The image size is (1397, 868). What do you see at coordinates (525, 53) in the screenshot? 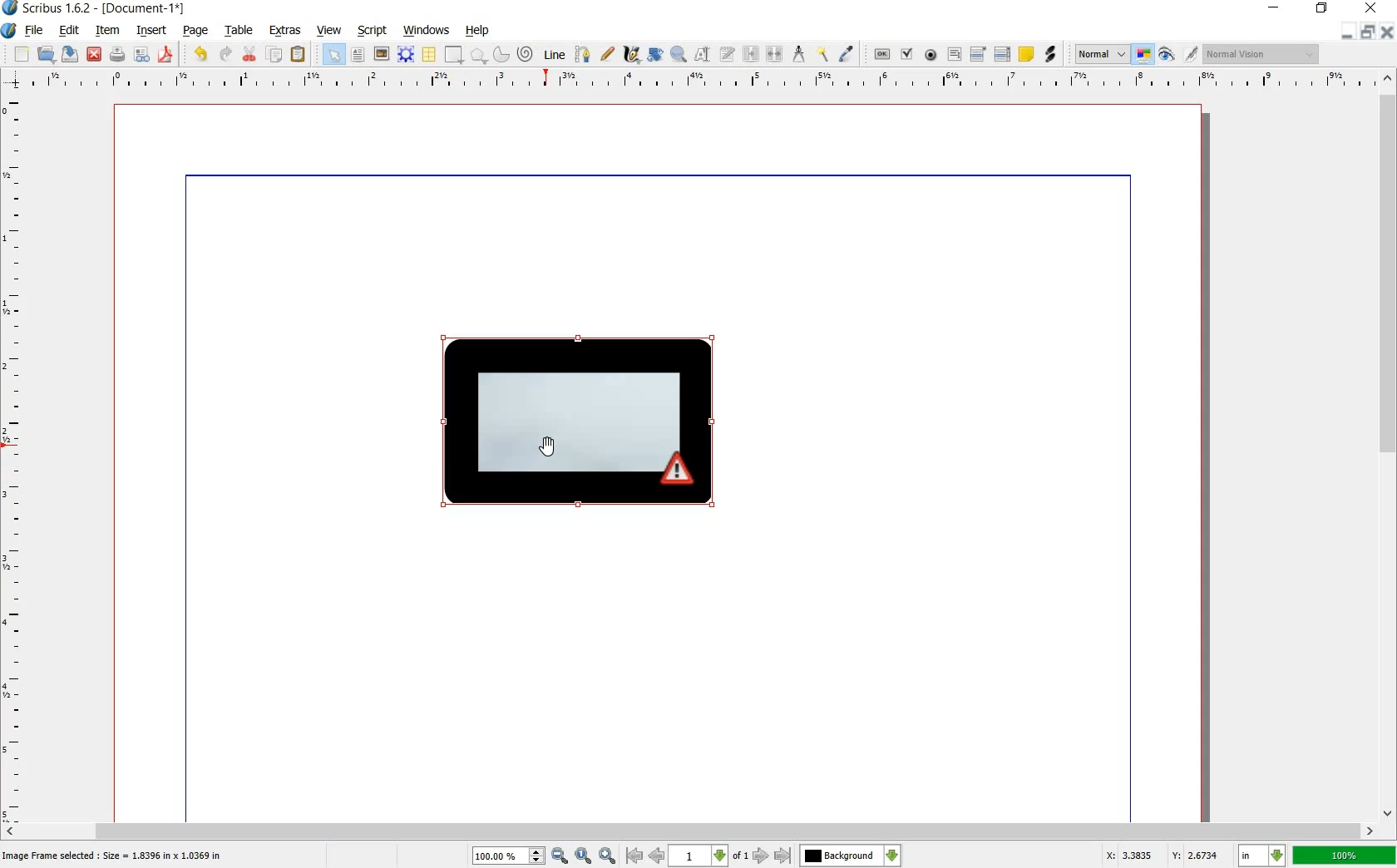
I see `spiral` at bounding box center [525, 53].